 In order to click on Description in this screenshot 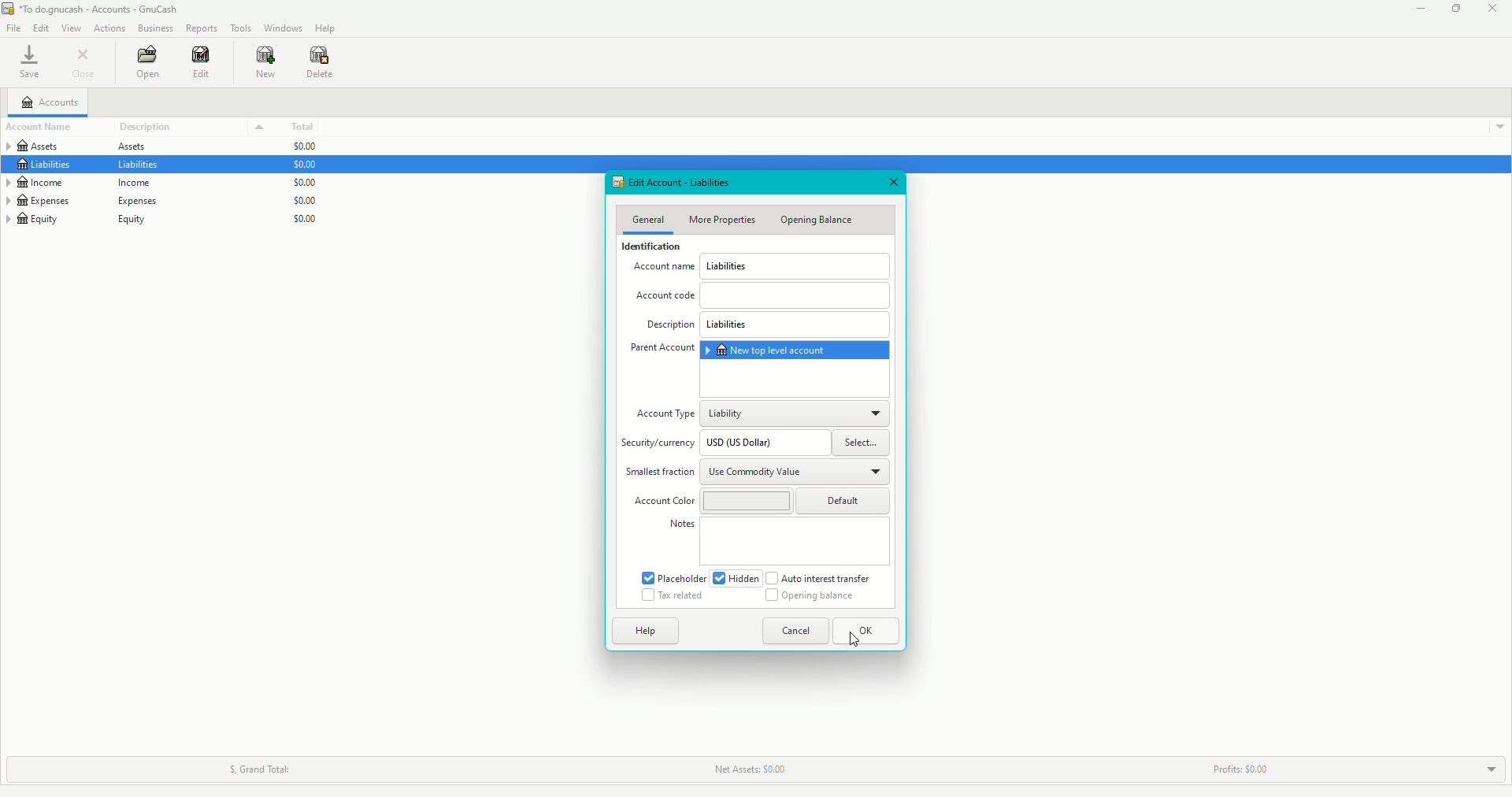, I will do `click(150, 126)`.